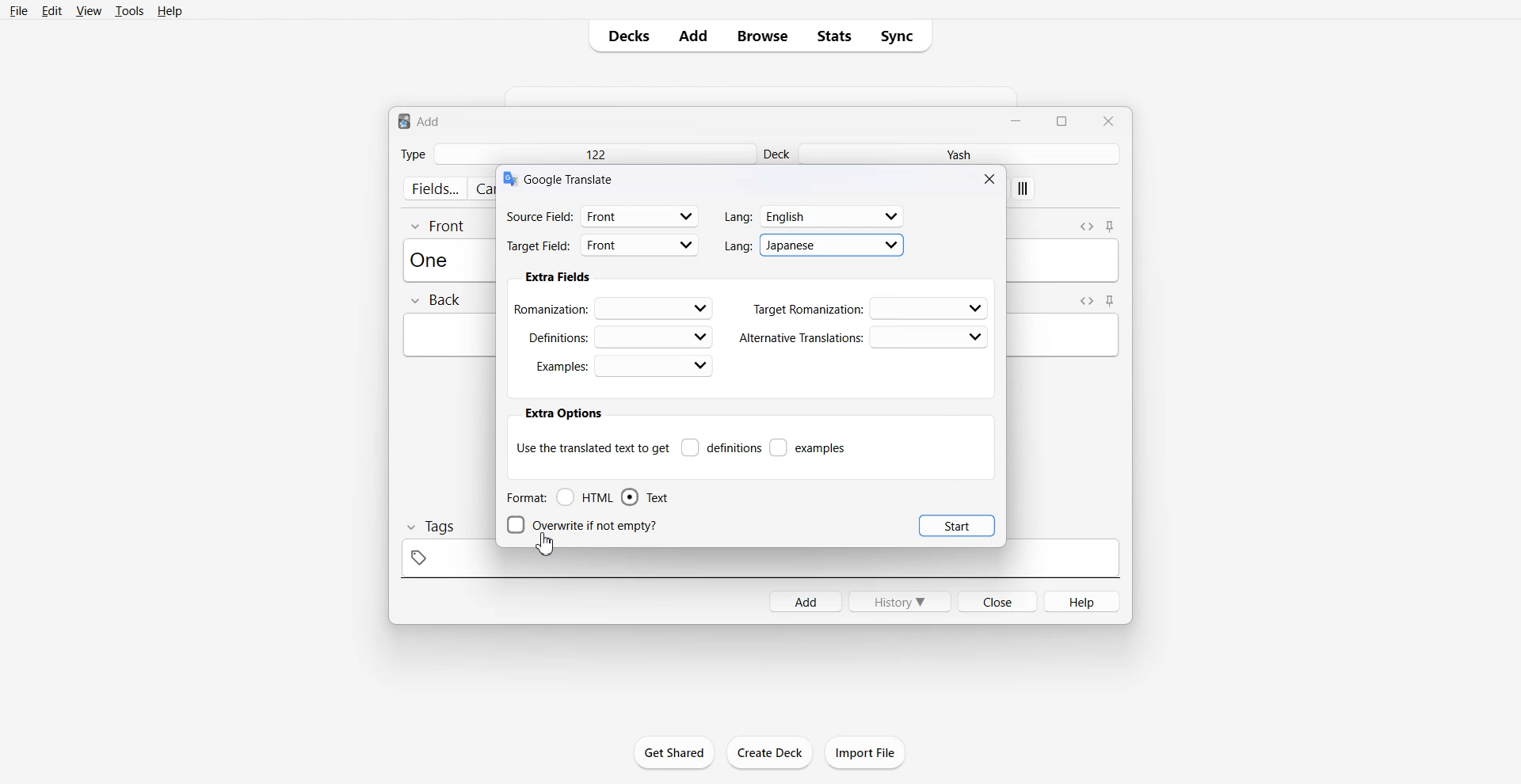  I want to click on File, so click(20, 10).